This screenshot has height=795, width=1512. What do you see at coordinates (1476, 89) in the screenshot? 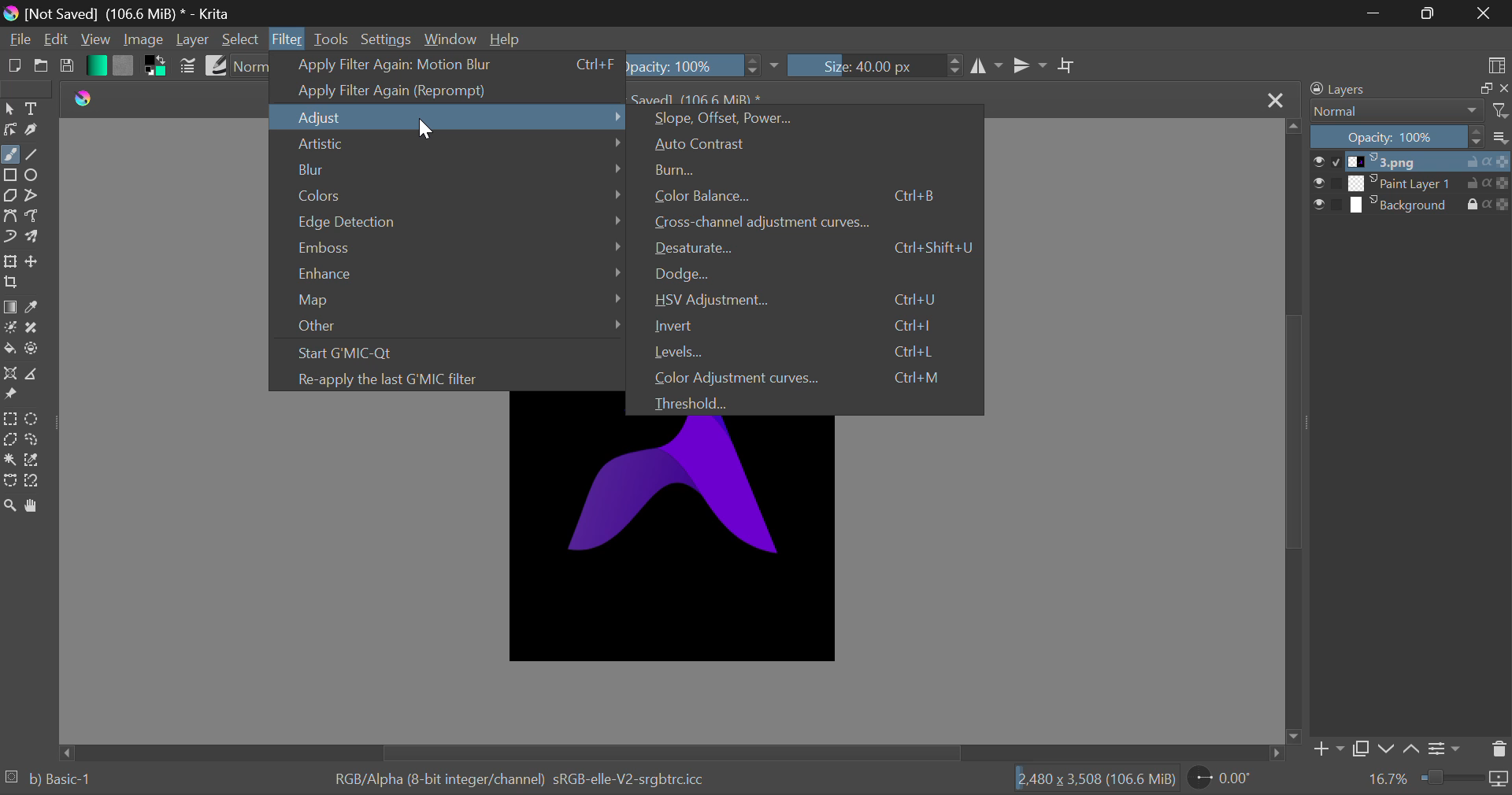
I see `maximize` at bounding box center [1476, 89].